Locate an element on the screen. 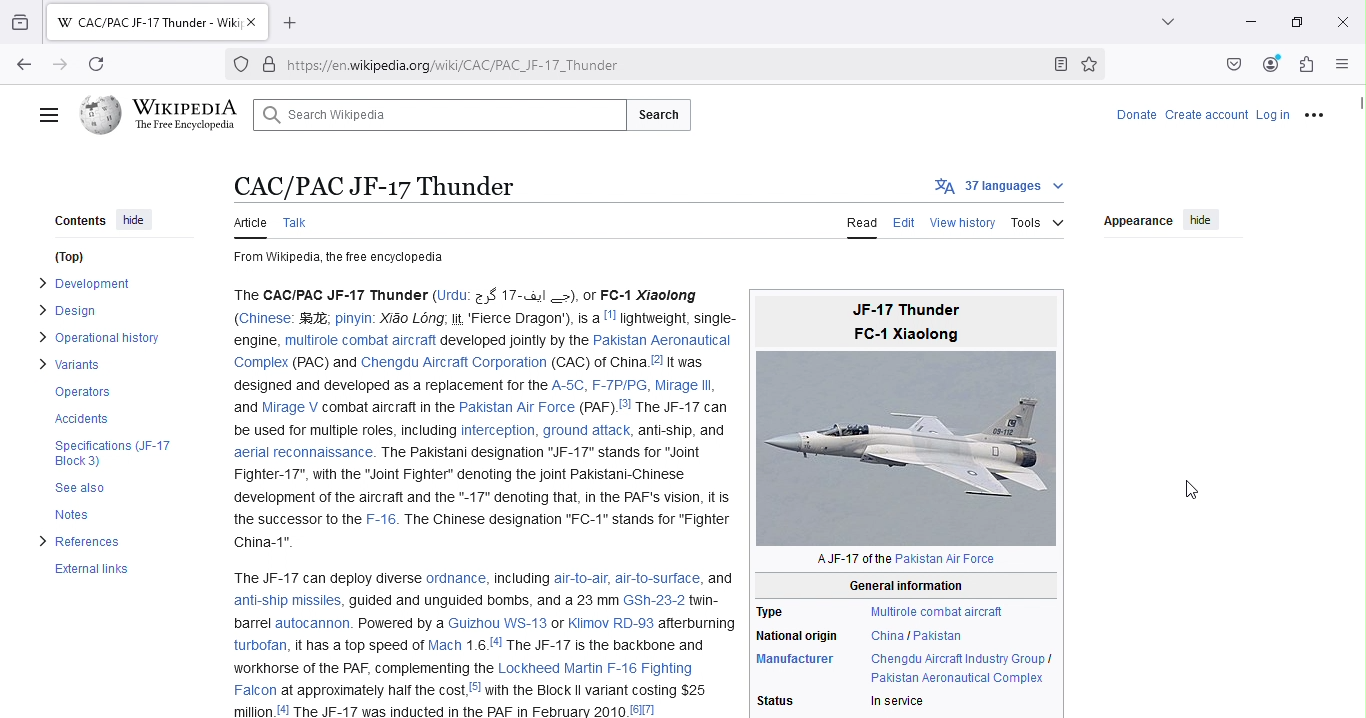 The width and height of the screenshot is (1366, 718). No trackers known to firefox were detected on this page is located at coordinates (238, 67).